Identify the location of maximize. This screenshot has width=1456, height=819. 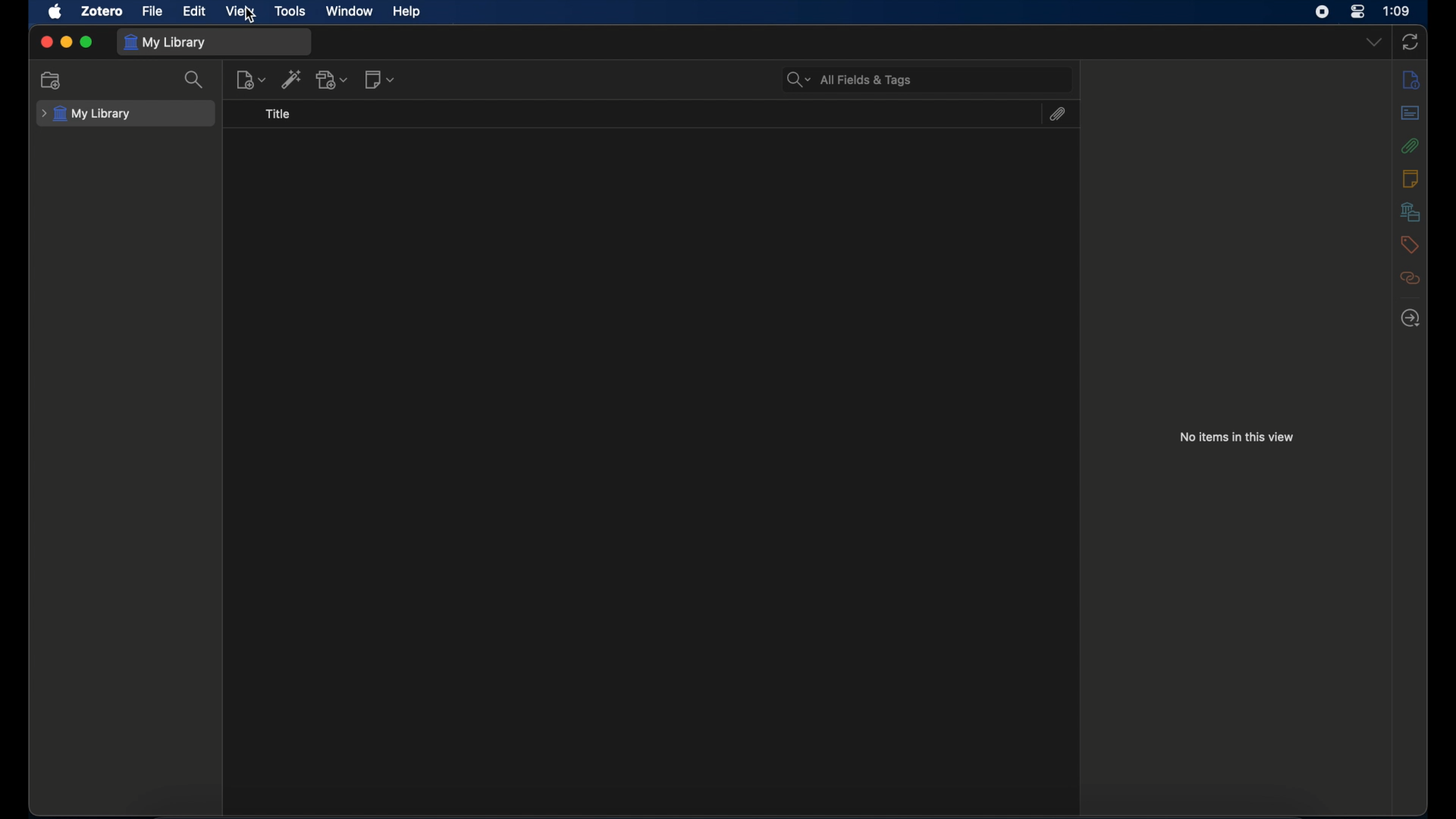
(87, 42).